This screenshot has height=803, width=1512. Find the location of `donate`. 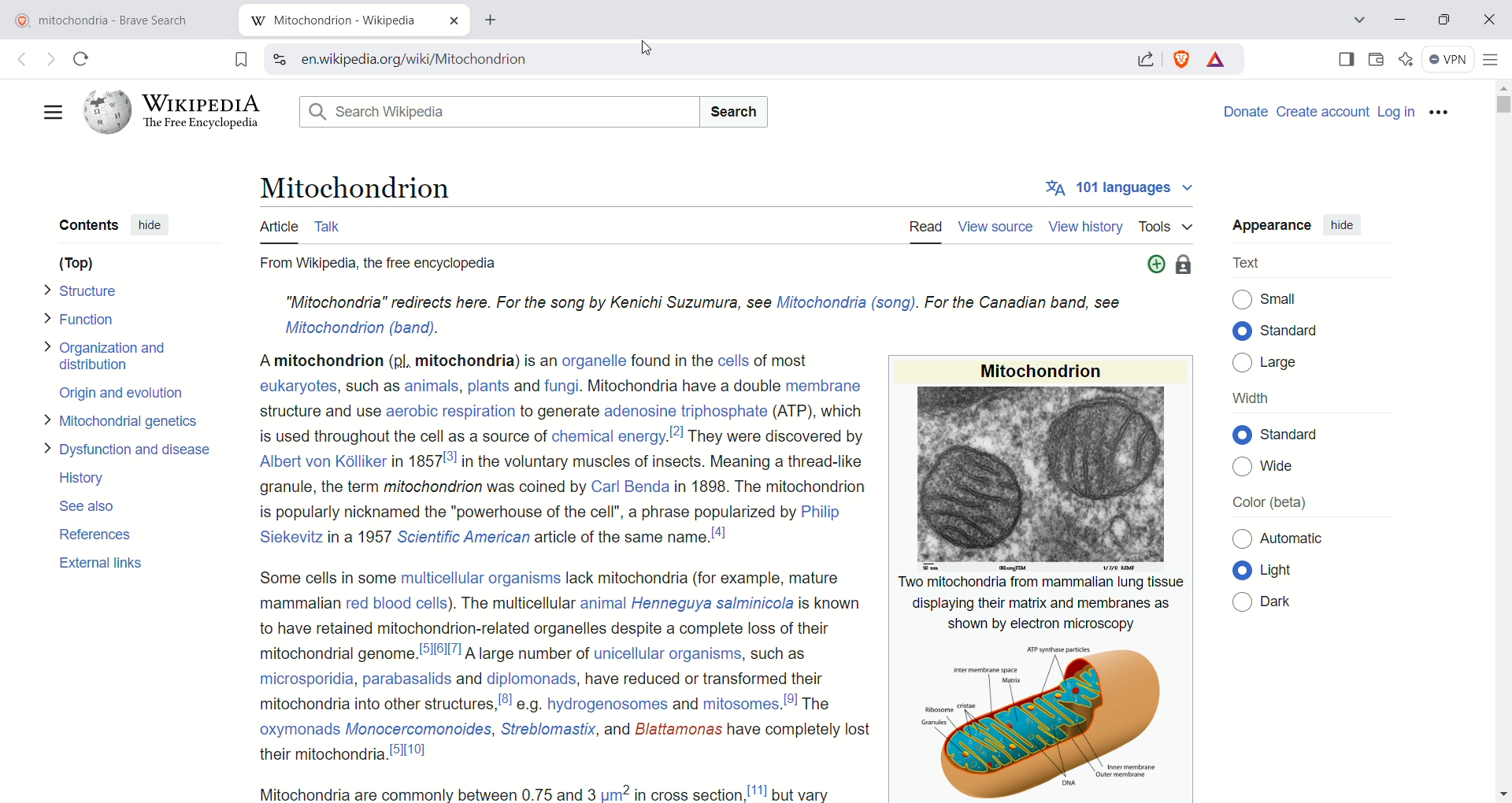

donate is located at coordinates (1247, 111).